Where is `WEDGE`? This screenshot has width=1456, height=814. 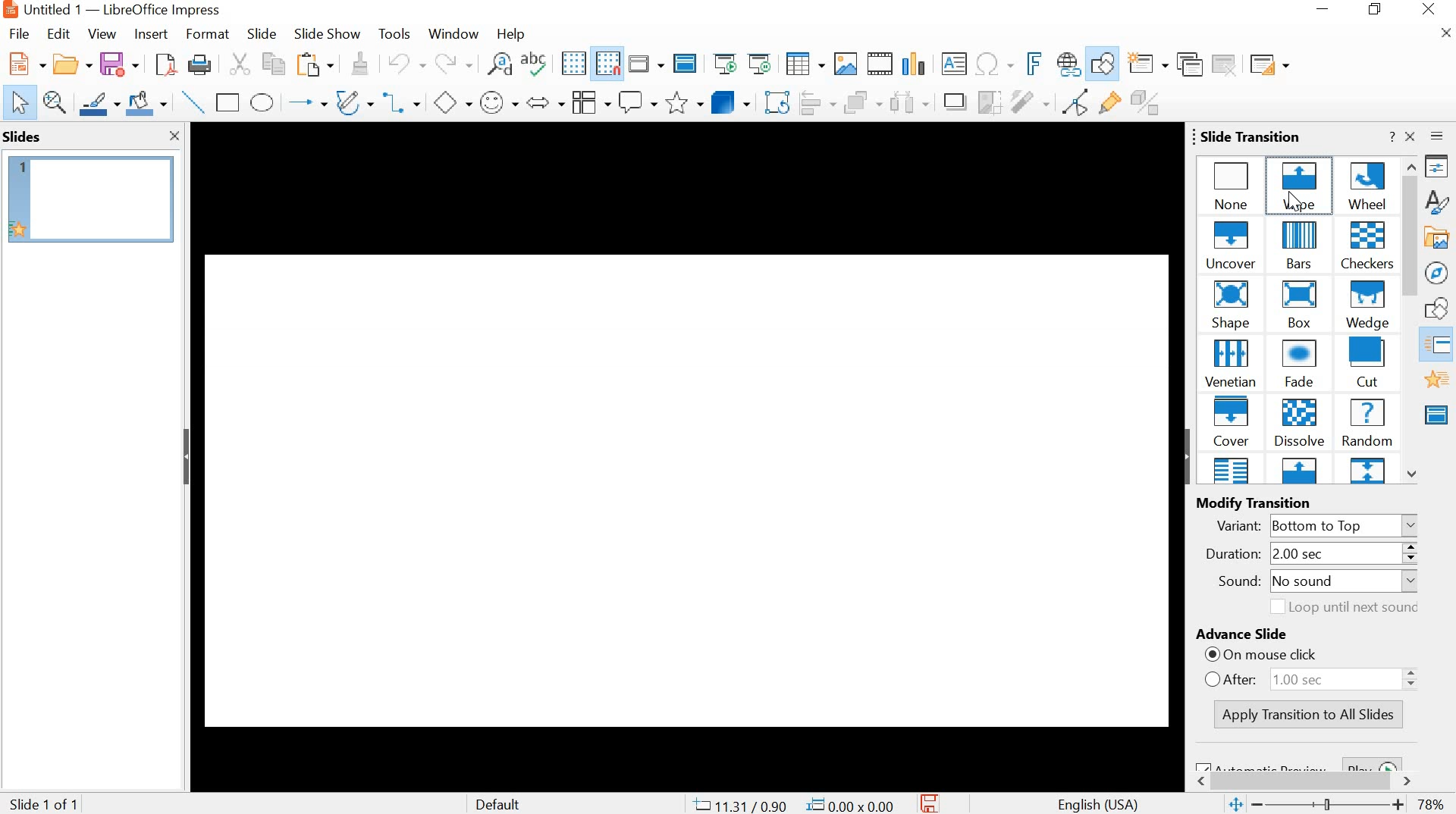
WEDGE is located at coordinates (1366, 306).